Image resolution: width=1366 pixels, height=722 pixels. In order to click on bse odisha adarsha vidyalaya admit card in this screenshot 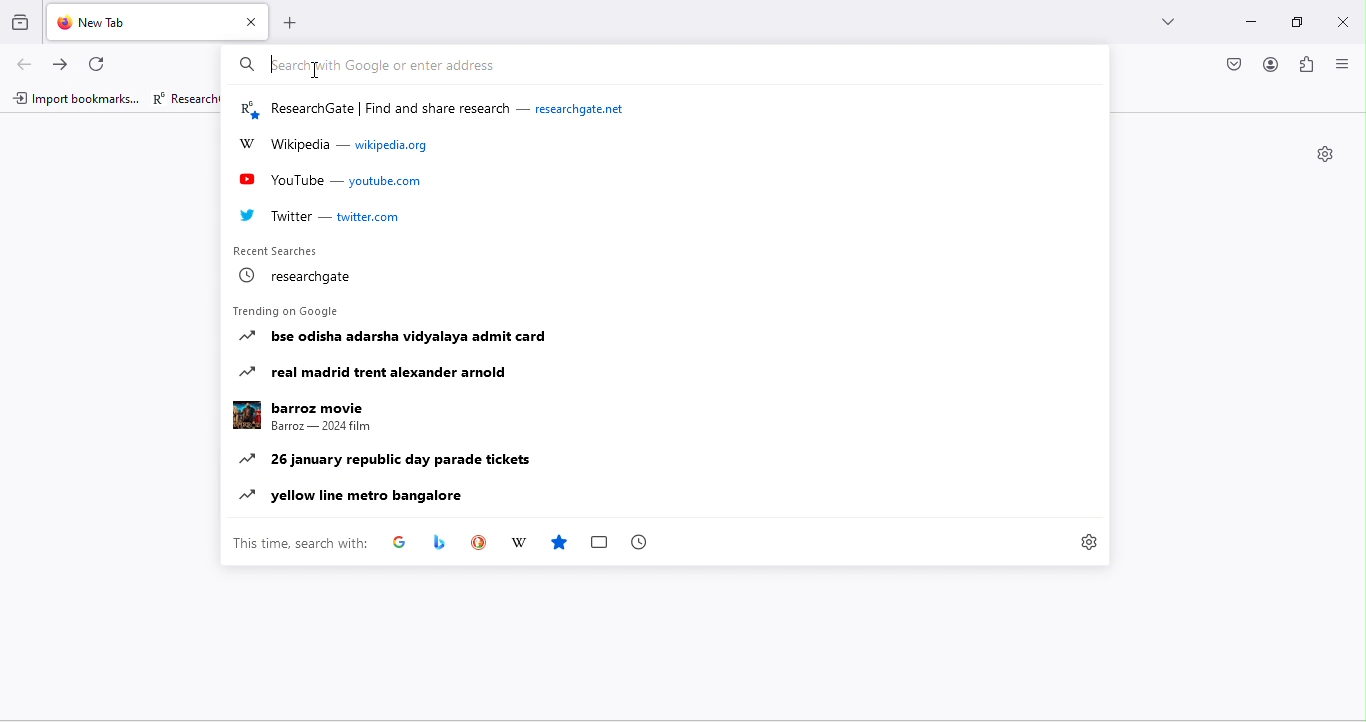, I will do `click(396, 337)`.